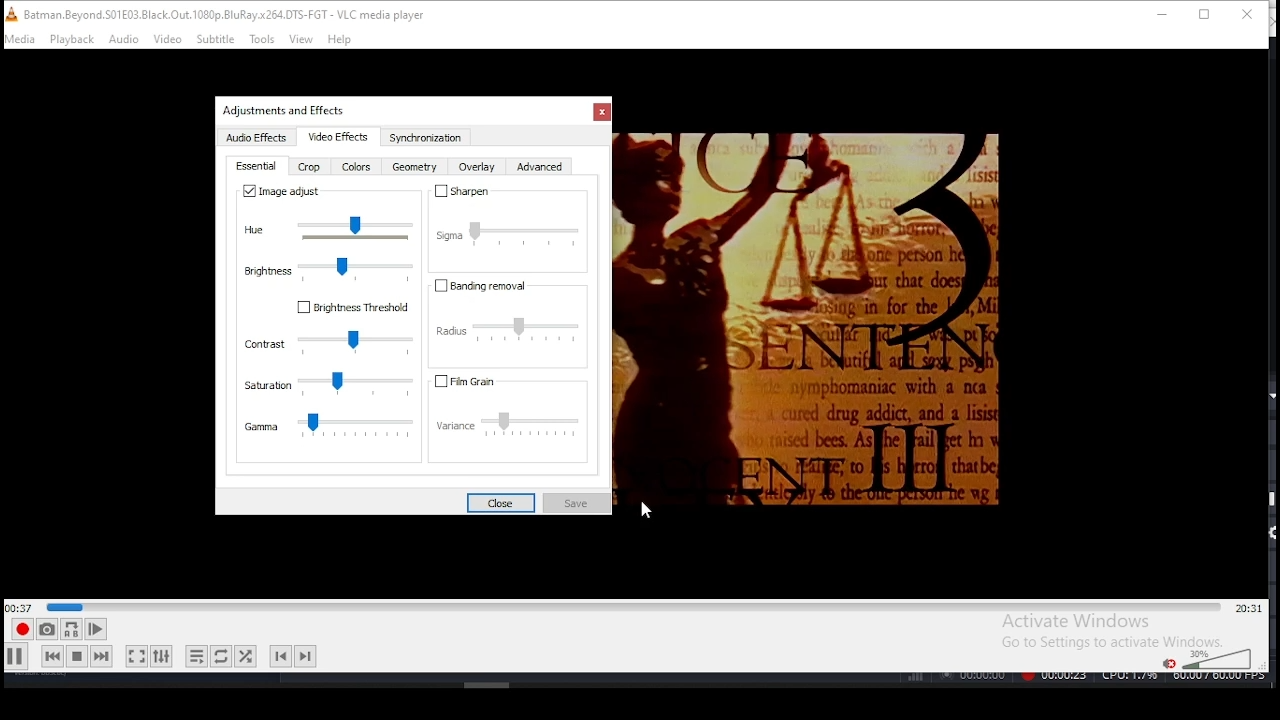  I want to click on variance settings slider, so click(515, 428).